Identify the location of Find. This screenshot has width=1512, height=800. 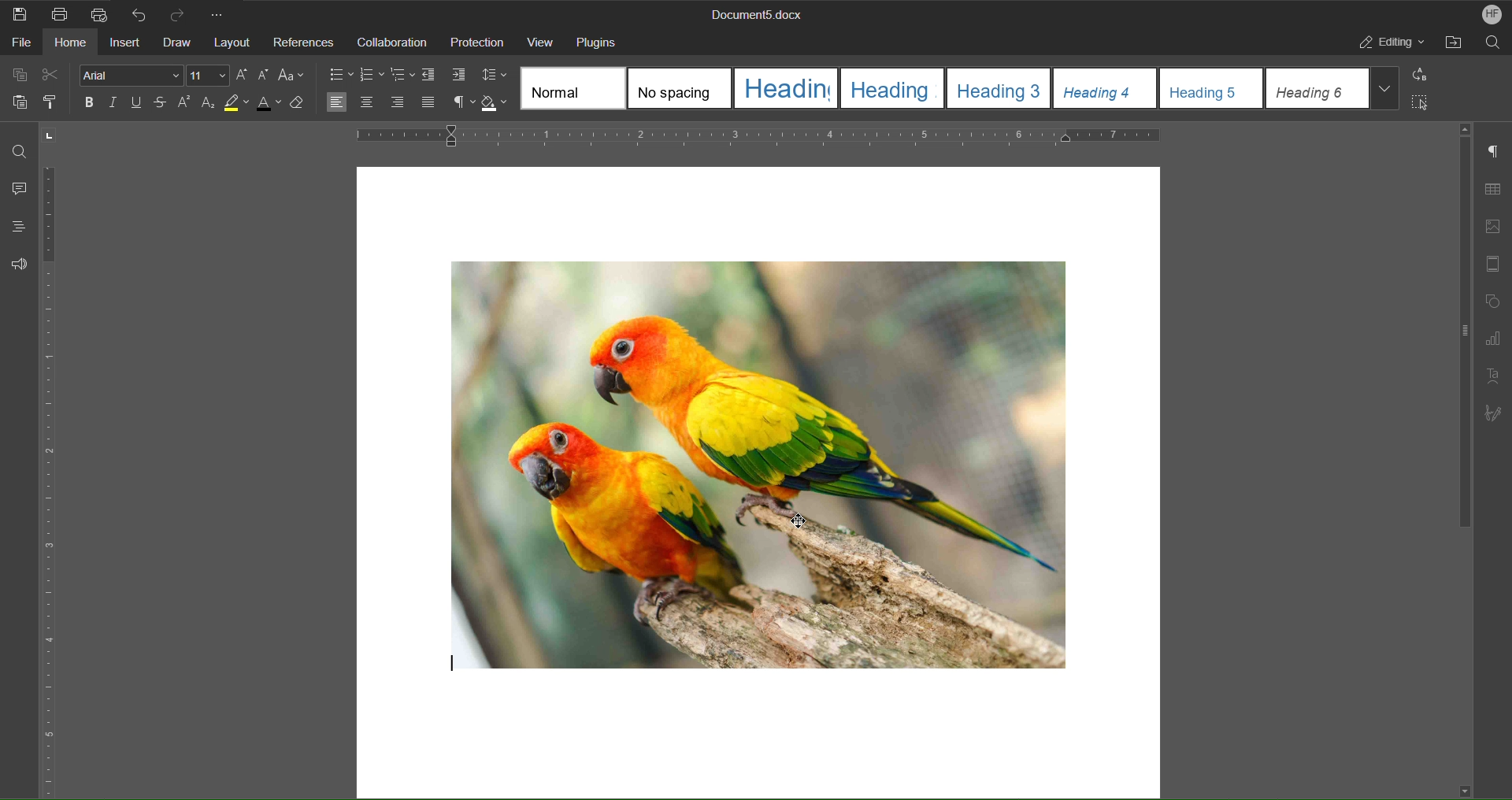
(20, 151).